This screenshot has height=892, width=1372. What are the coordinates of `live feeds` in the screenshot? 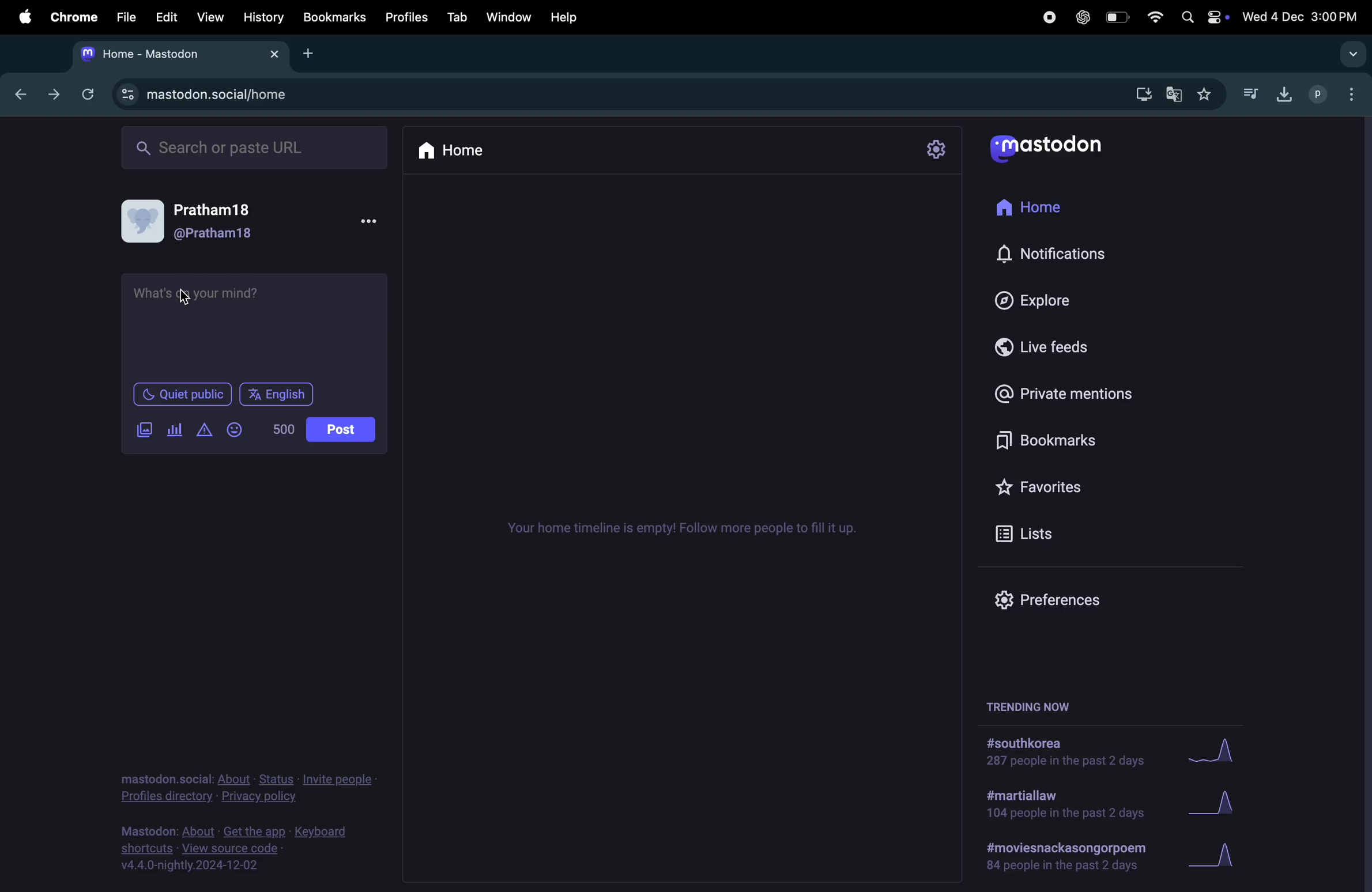 It's located at (1053, 345).